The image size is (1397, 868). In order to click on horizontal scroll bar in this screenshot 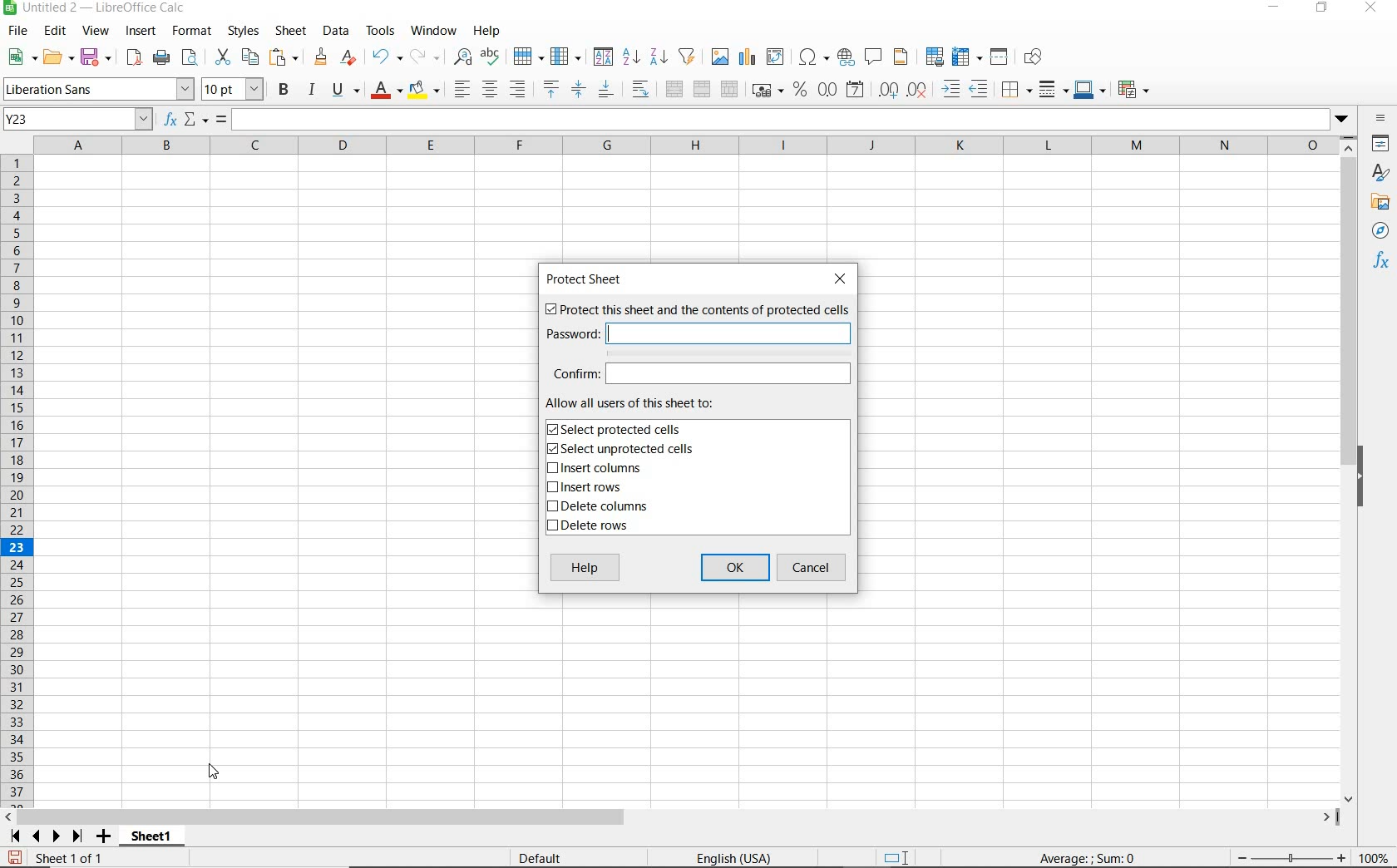, I will do `click(682, 815)`.